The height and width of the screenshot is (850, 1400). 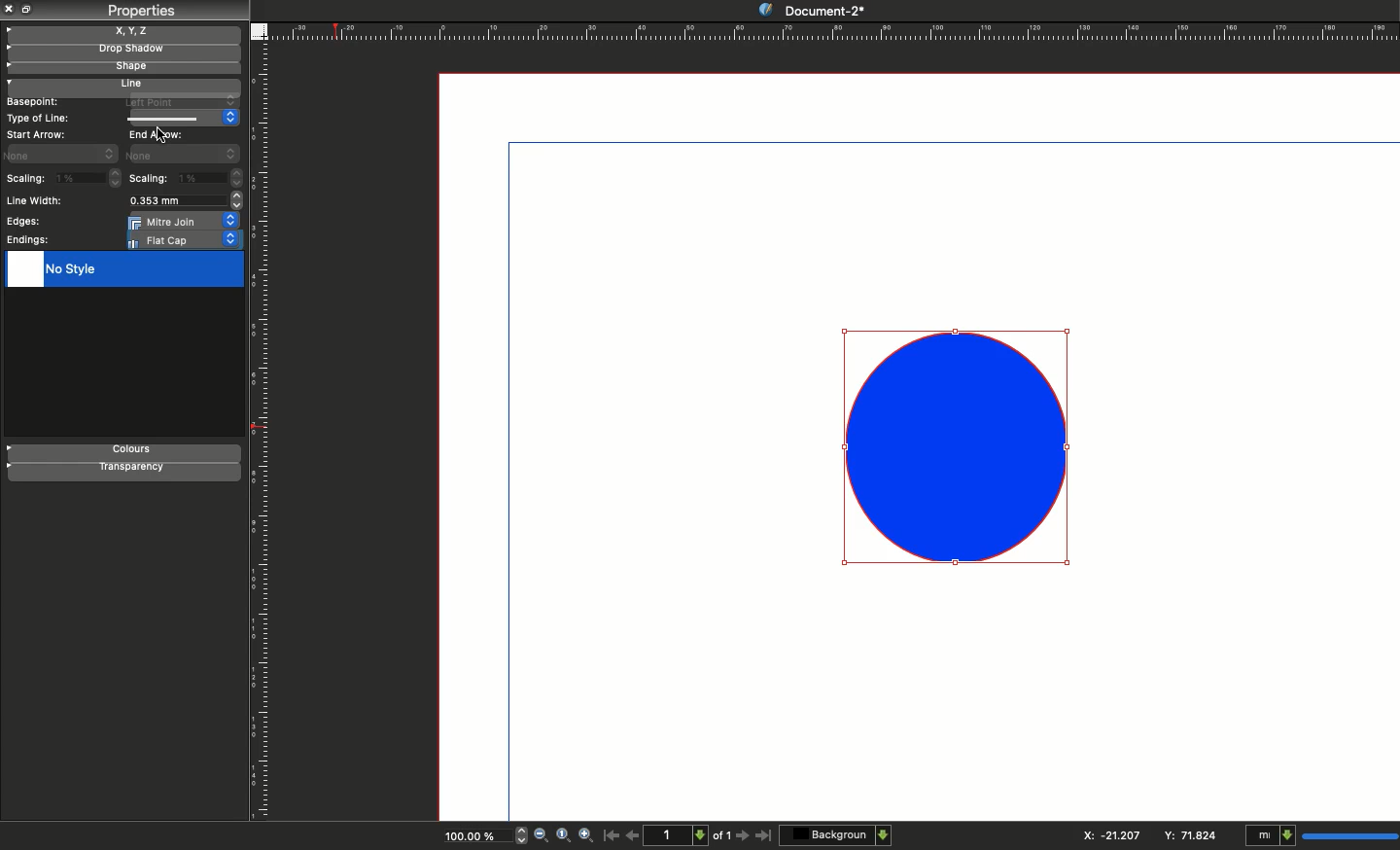 What do you see at coordinates (587, 836) in the screenshot?
I see `Zoom in` at bounding box center [587, 836].